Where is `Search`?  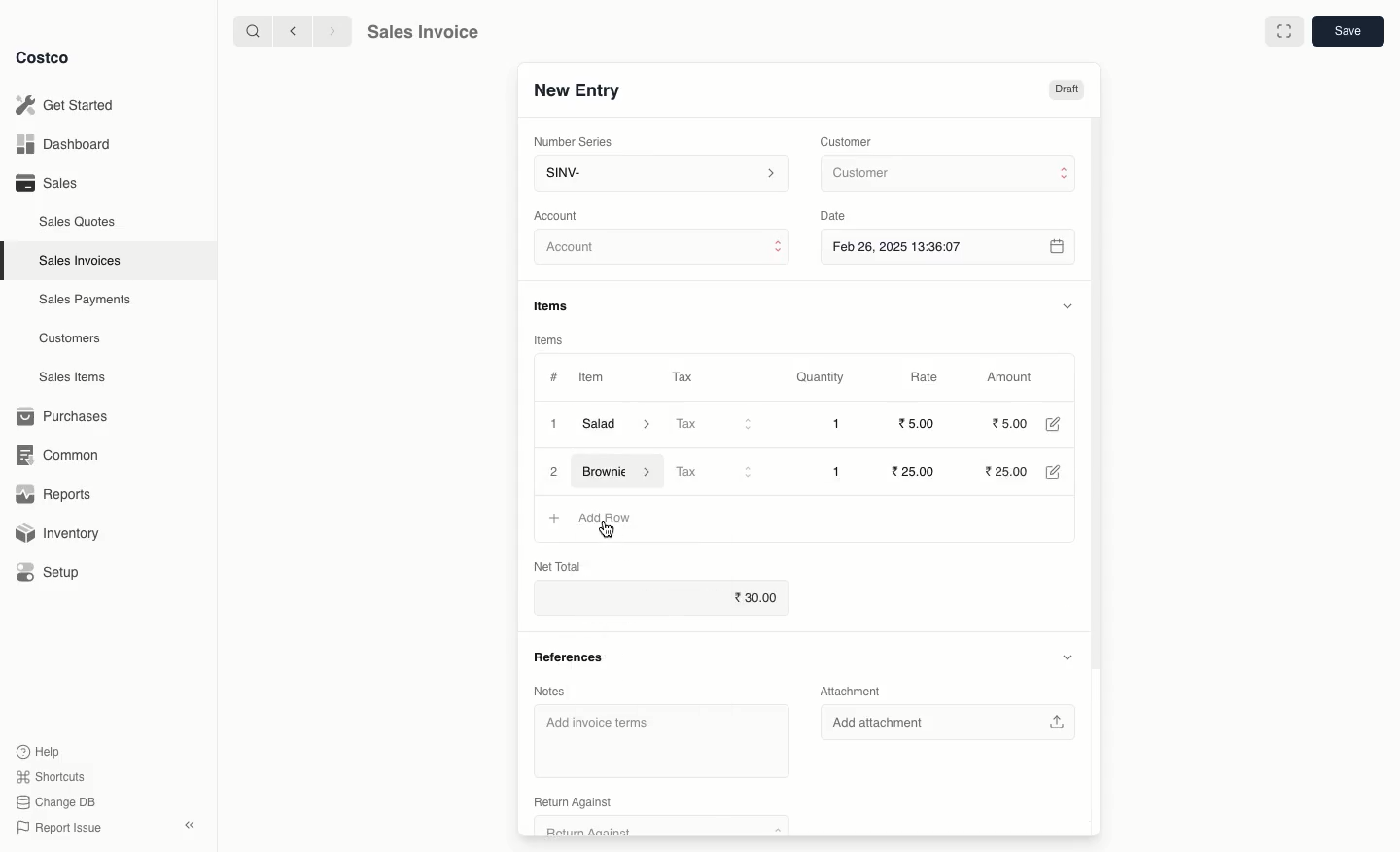 Search is located at coordinates (250, 30).